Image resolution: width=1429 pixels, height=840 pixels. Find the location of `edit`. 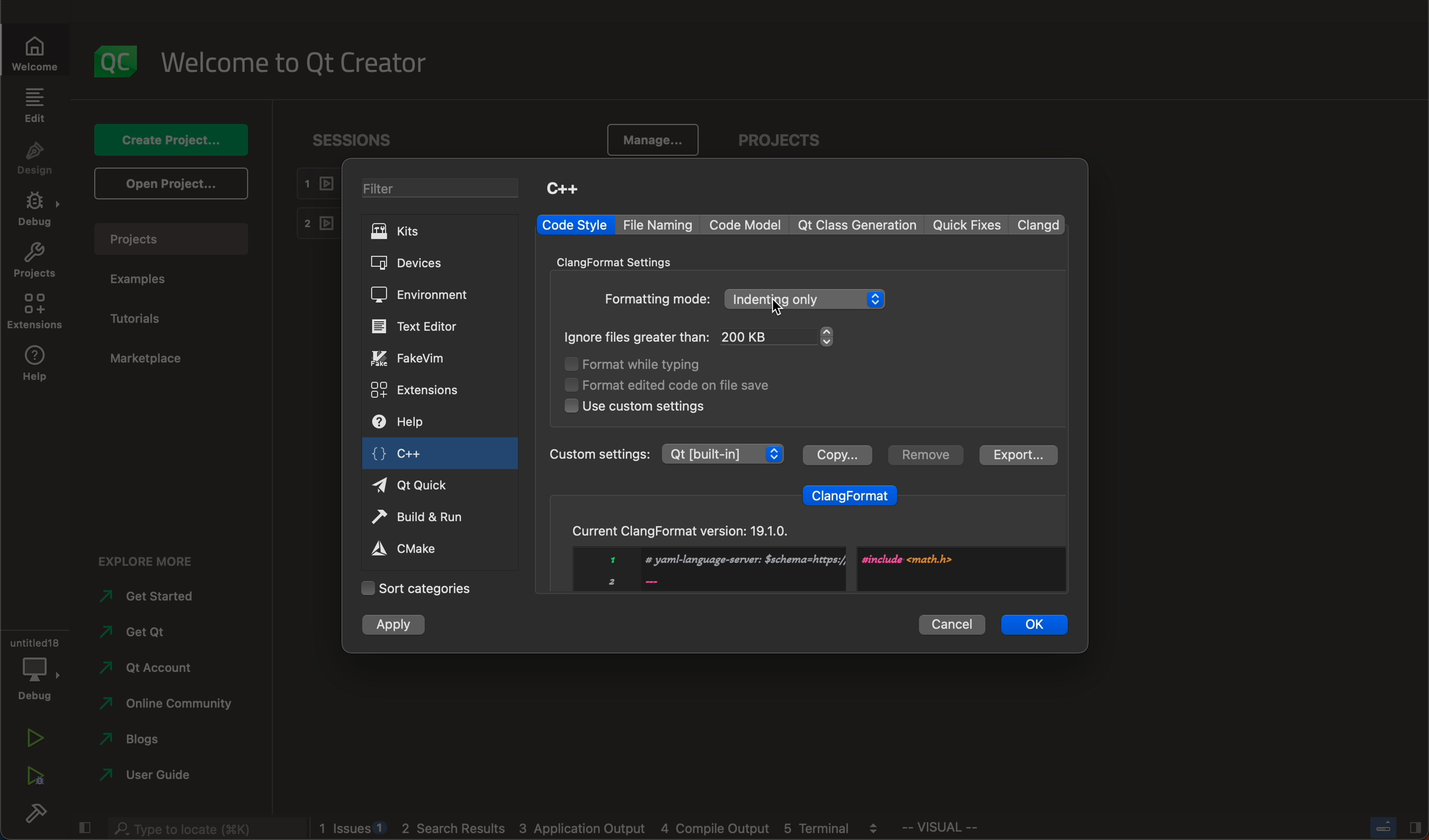

edit is located at coordinates (34, 105).